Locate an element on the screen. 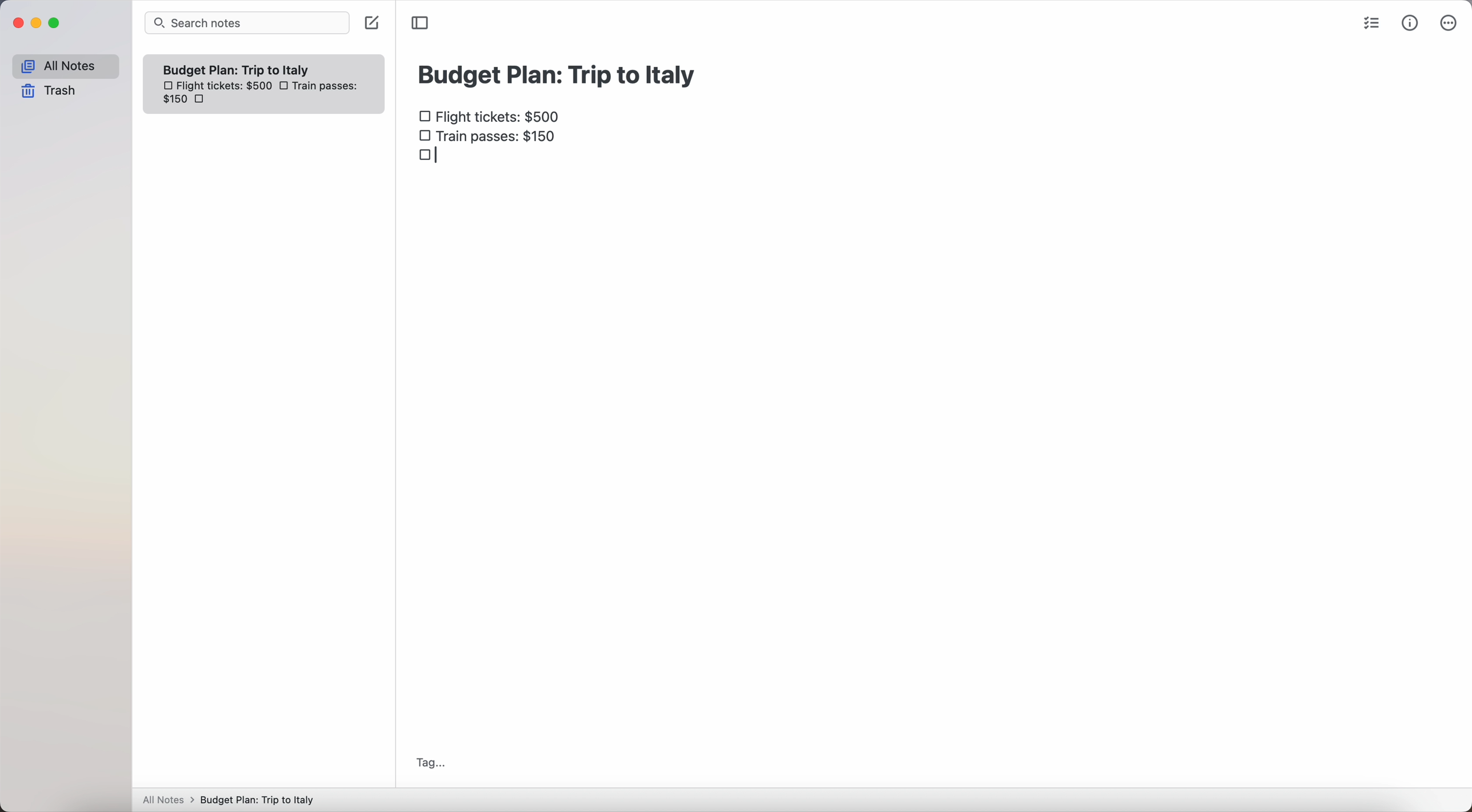  checkbox is located at coordinates (205, 101).